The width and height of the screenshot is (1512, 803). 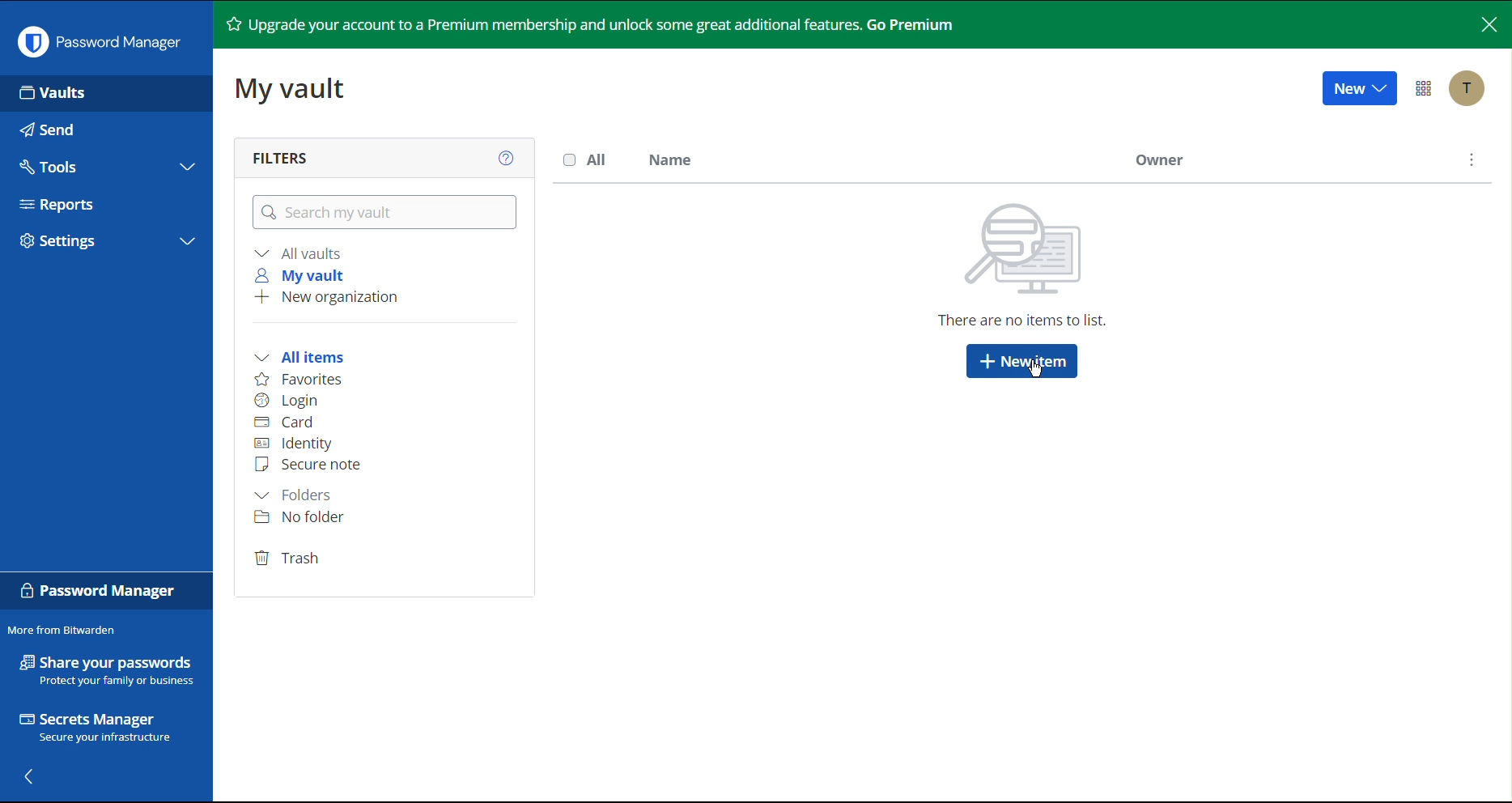 I want to click on Secrets Manager, so click(x=103, y=729).